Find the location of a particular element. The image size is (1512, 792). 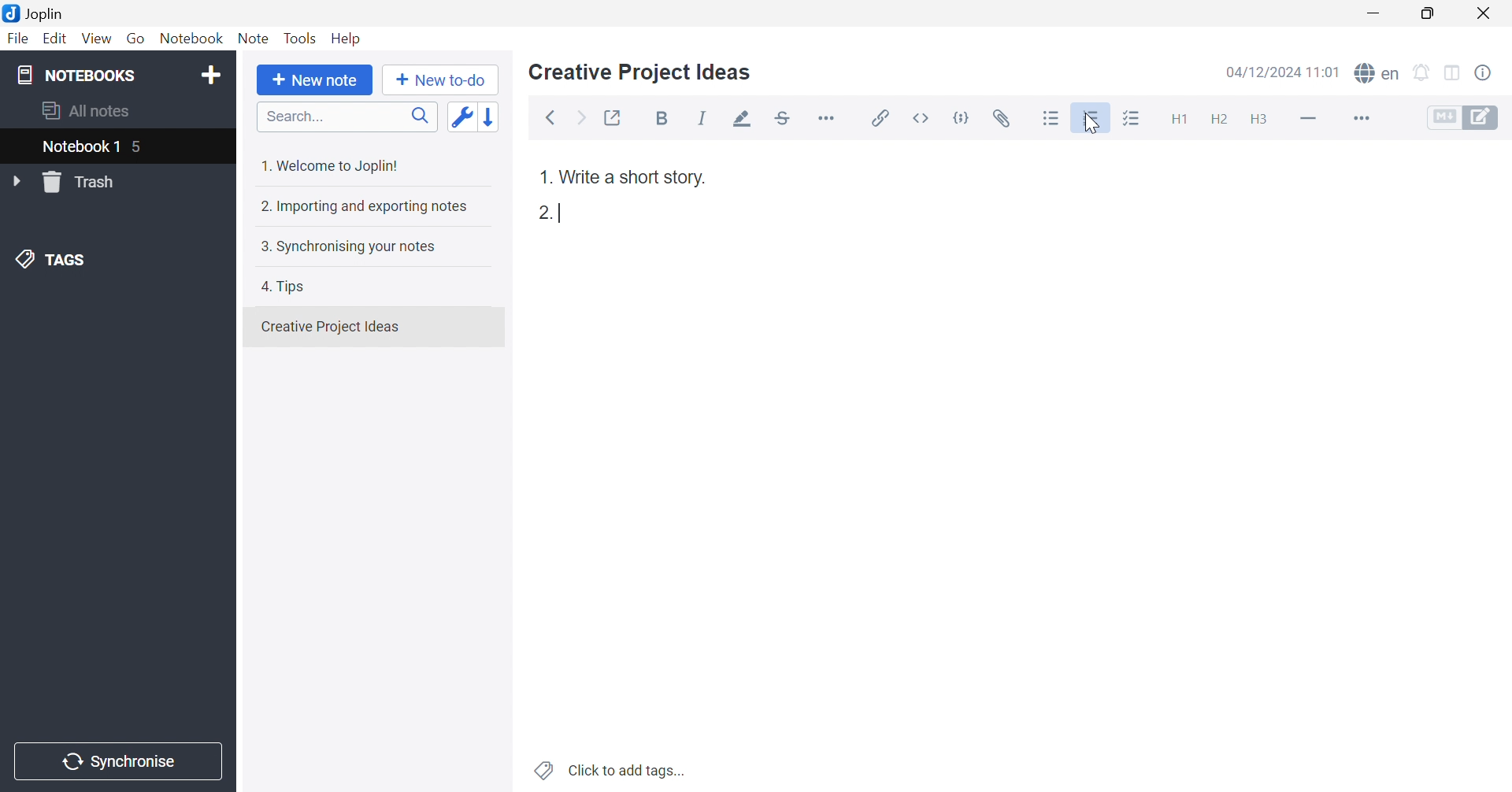

Highlight is located at coordinates (744, 120).